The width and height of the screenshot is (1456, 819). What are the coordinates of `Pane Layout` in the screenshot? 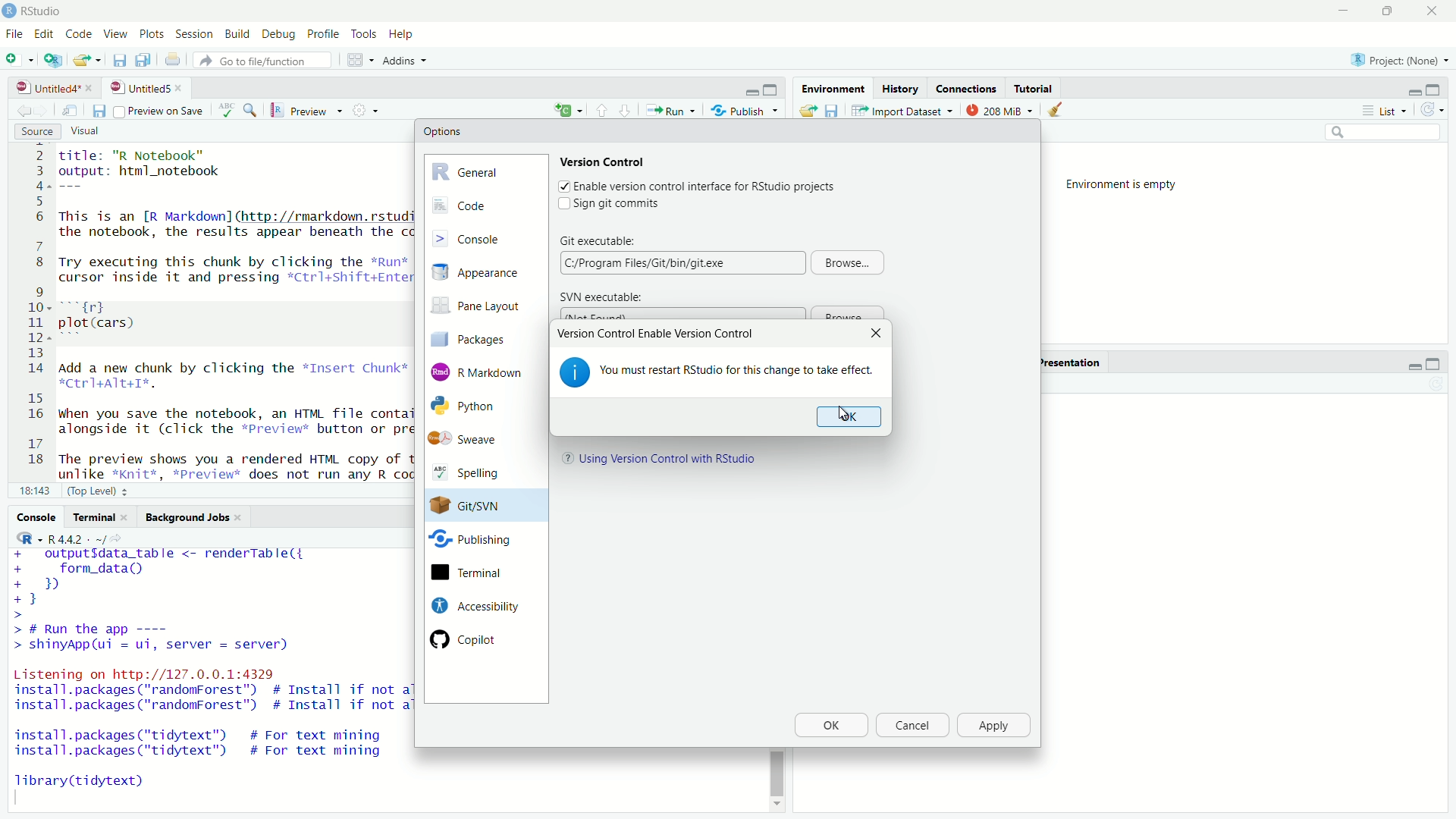 It's located at (481, 308).